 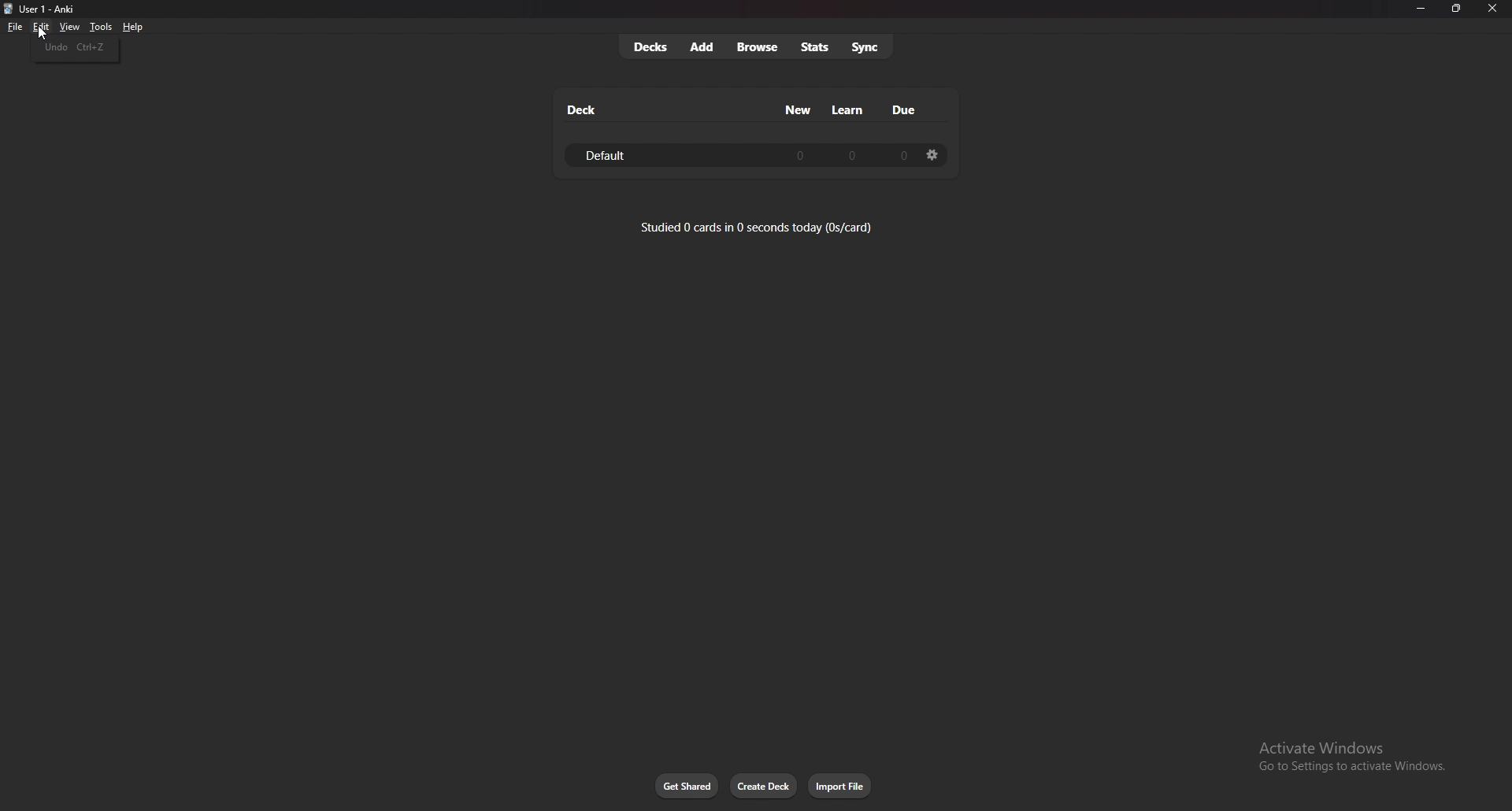 What do you see at coordinates (703, 47) in the screenshot?
I see `add` at bounding box center [703, 47].